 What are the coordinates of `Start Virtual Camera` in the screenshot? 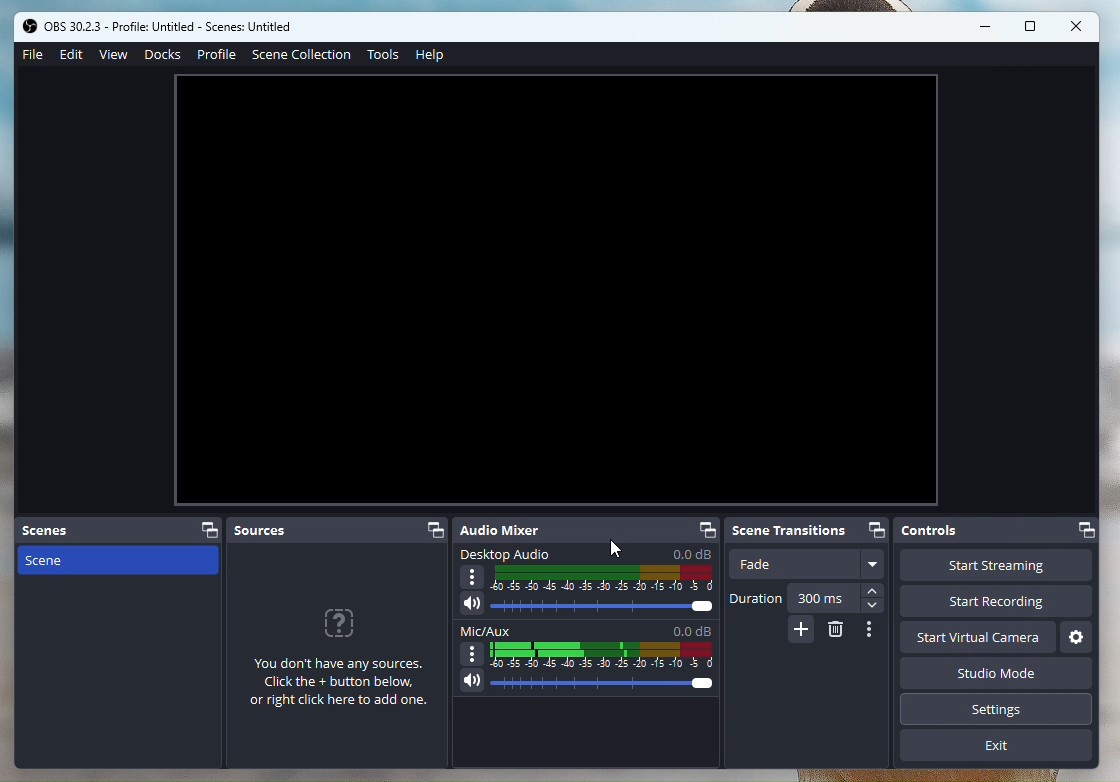 It's located at (973, 637).